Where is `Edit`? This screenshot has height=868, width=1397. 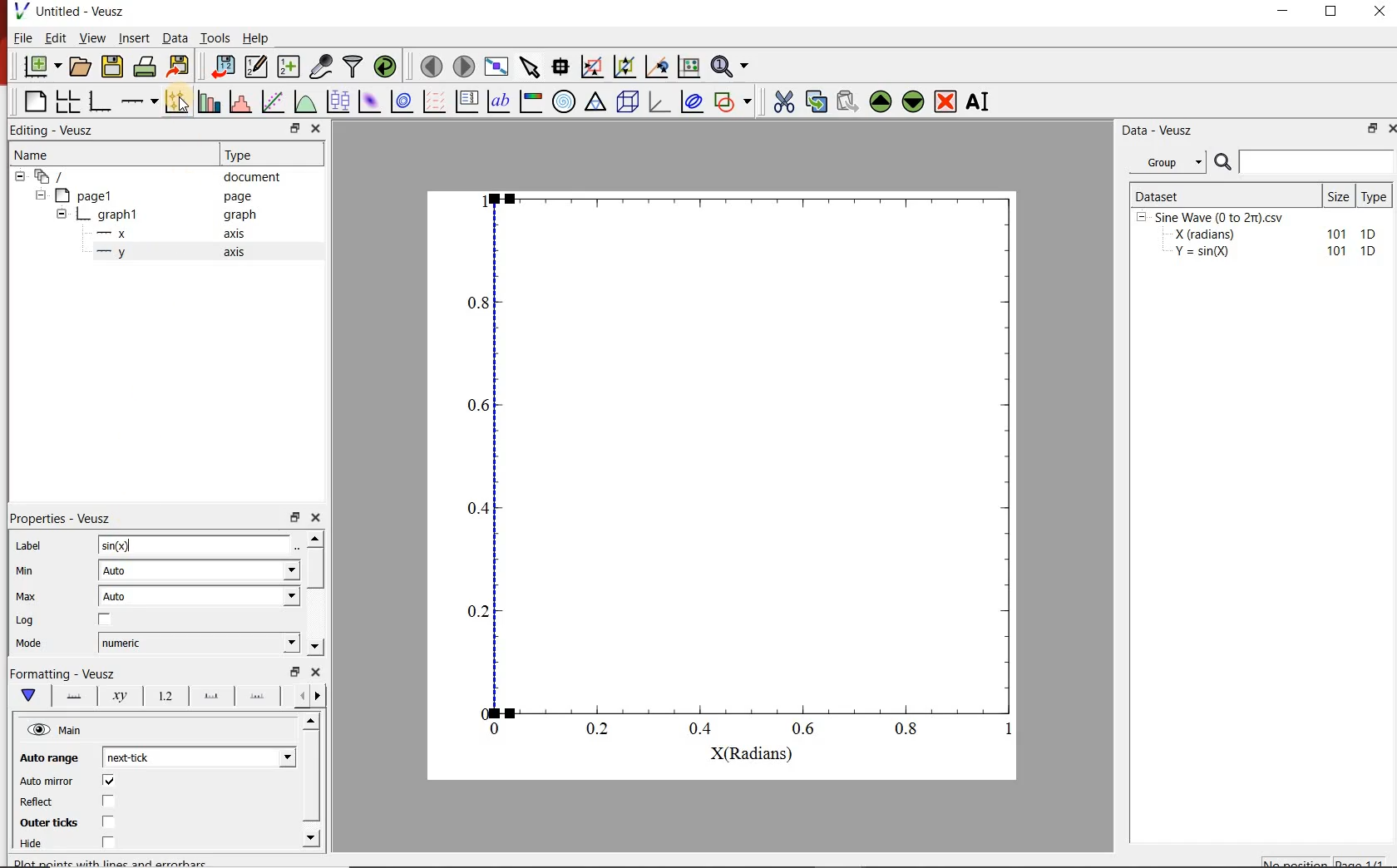
Edit is located at coordinates (56, 38).